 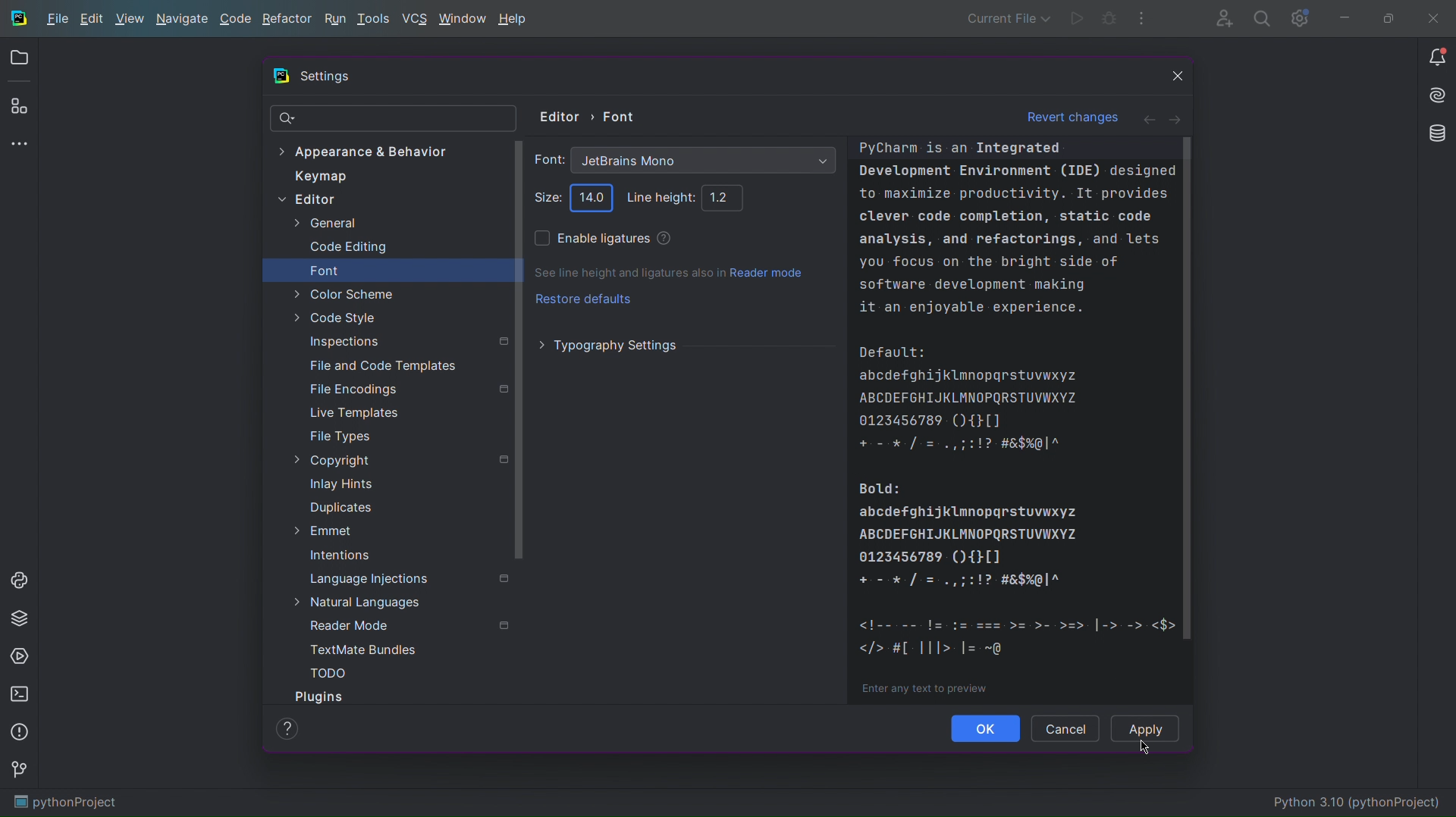 What do you see at coordinates (325, 271) in the screenshot?
I see `Font` at bounding box center [325, 271].